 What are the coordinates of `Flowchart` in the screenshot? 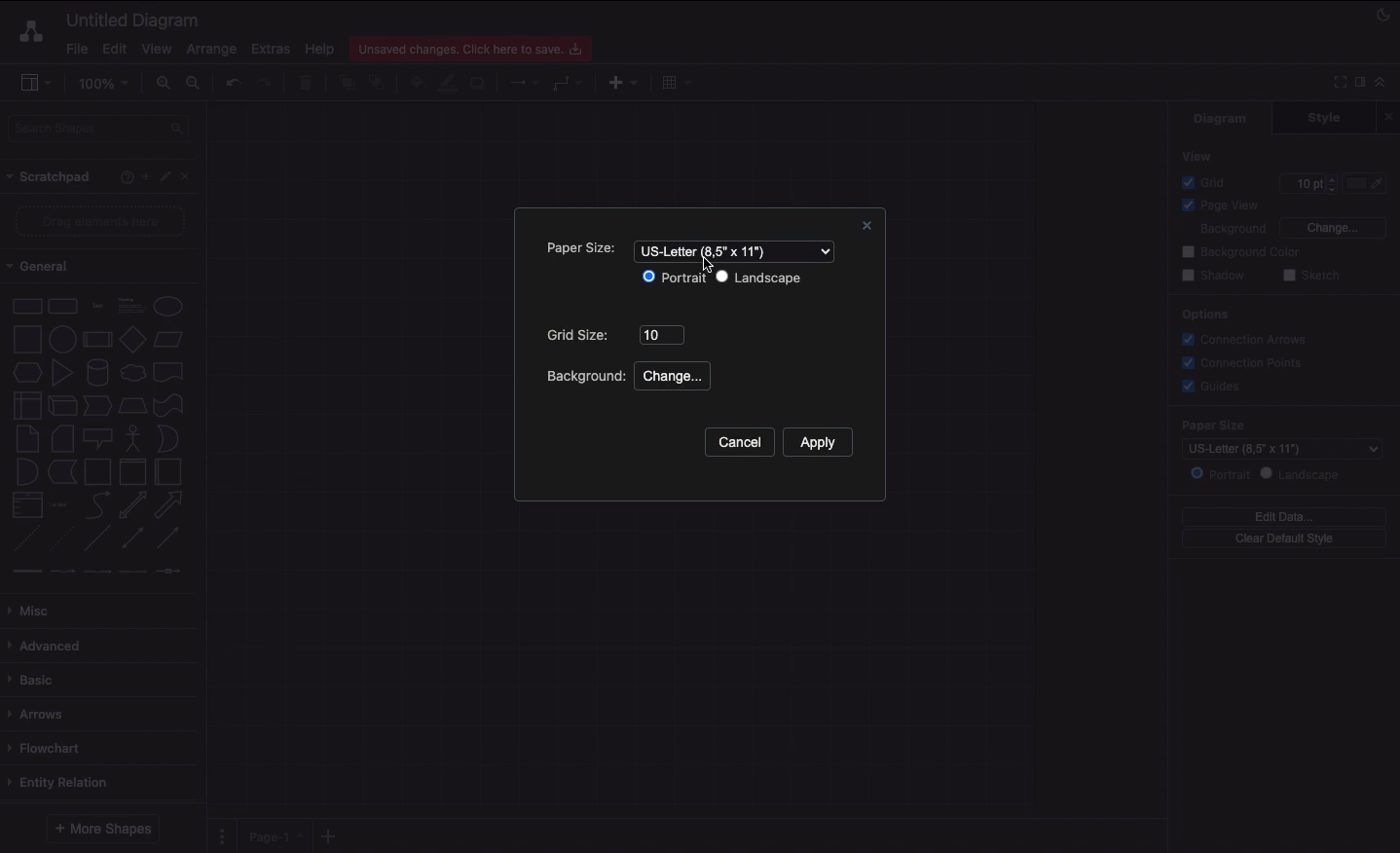 It's located at (48, 748).